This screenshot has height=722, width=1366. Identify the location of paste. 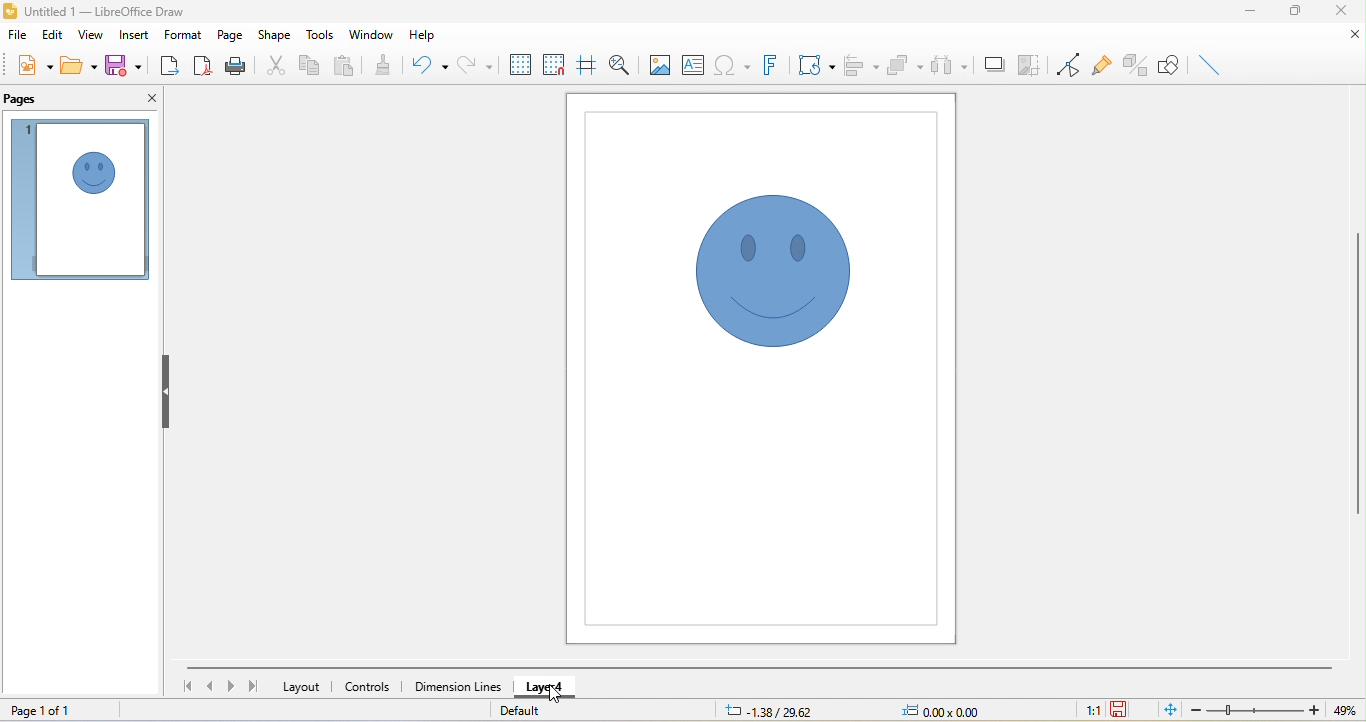
(346, 67).